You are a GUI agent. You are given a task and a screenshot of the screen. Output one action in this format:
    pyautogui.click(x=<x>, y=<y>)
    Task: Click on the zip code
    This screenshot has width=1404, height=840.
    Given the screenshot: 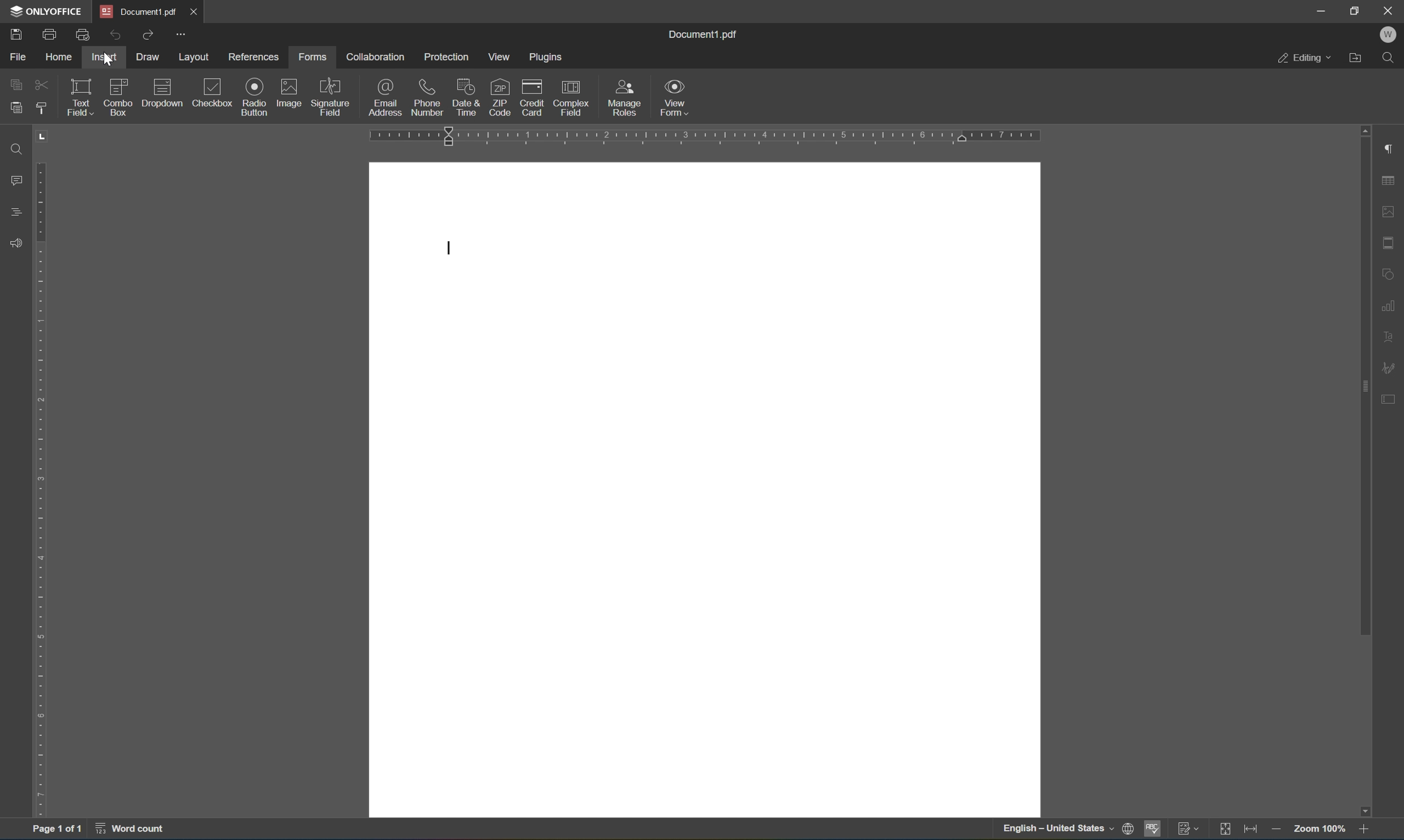 What is the action you would take?
    pyautogui.click(x=502, y=98)
    